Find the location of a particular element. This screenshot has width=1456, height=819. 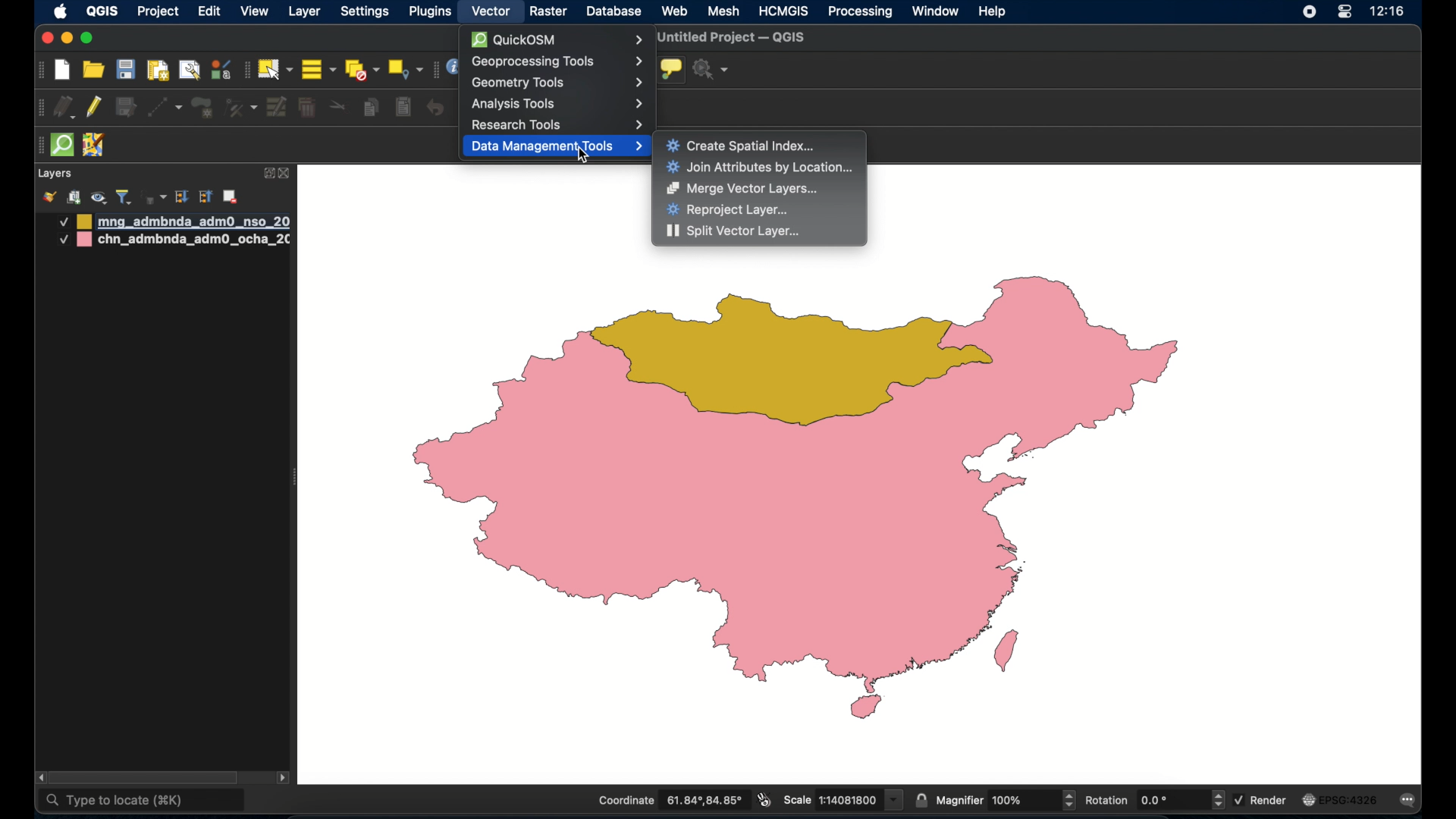

drag handle is located at coordinates (36, 146).